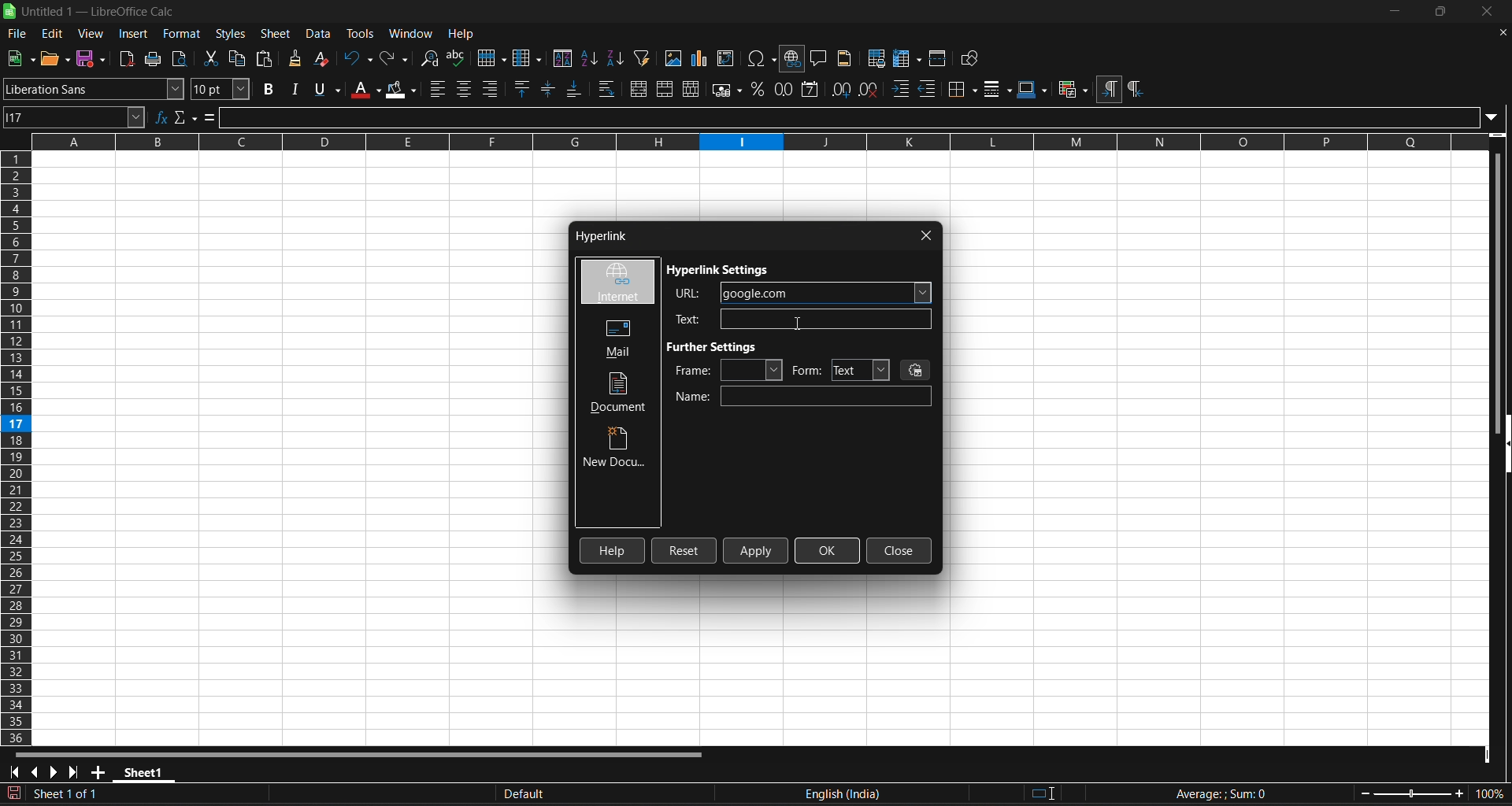  I want to click on name box, so click(76, 117).